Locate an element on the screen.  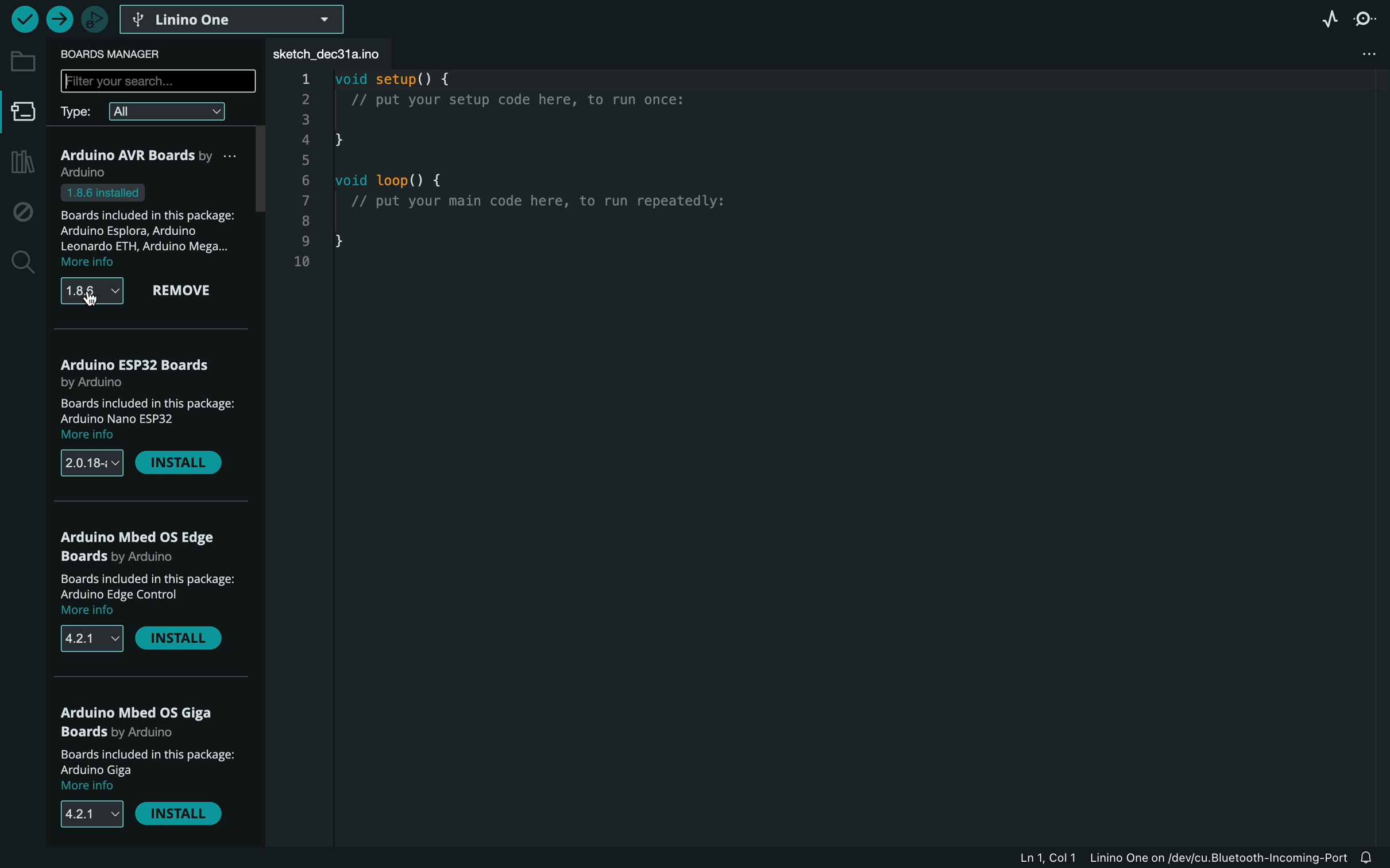
arduino Mbed is located at coordinates (146, 549).